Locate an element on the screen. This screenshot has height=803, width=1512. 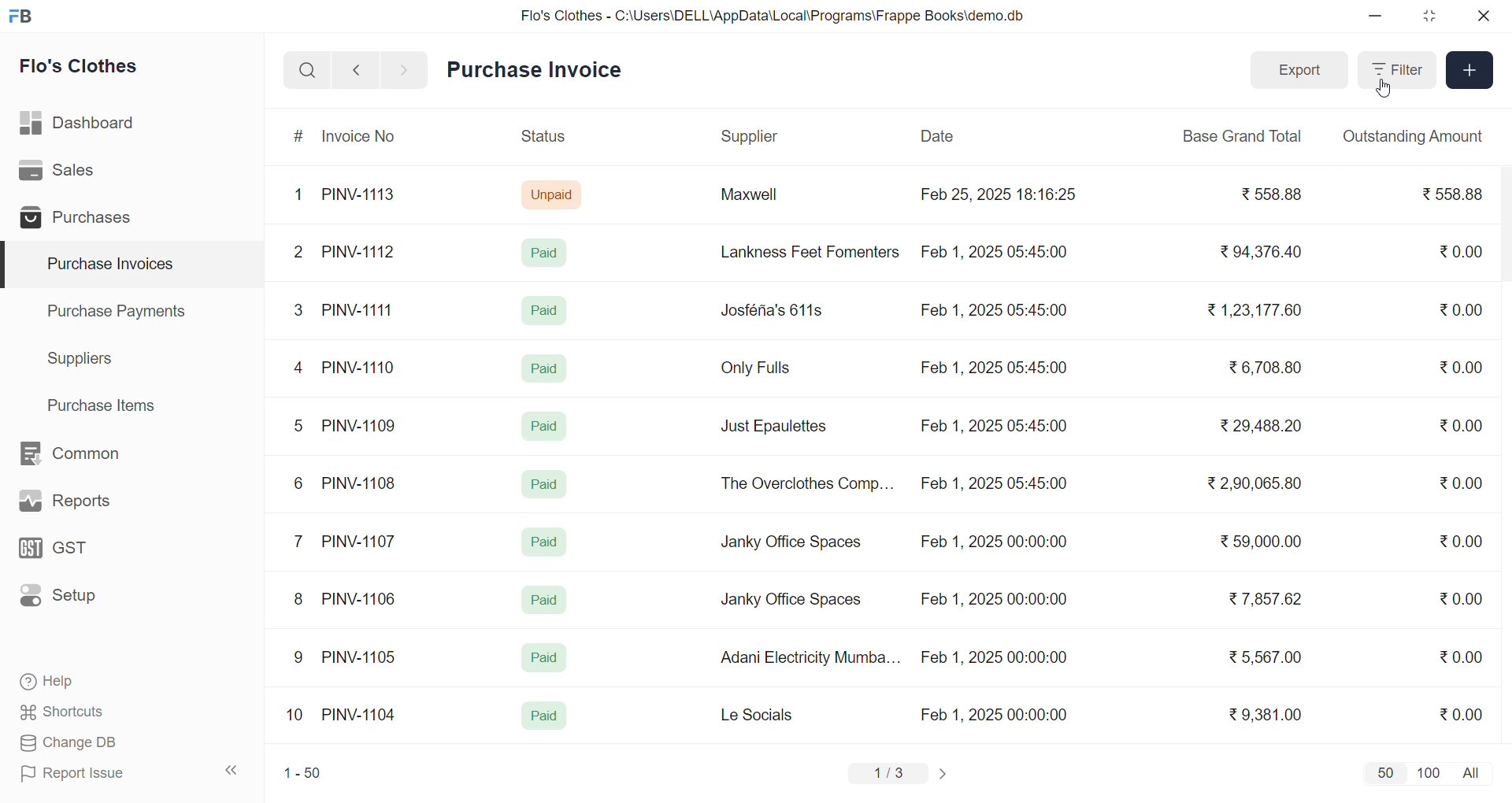
7 is located at coordinates (302, 540).